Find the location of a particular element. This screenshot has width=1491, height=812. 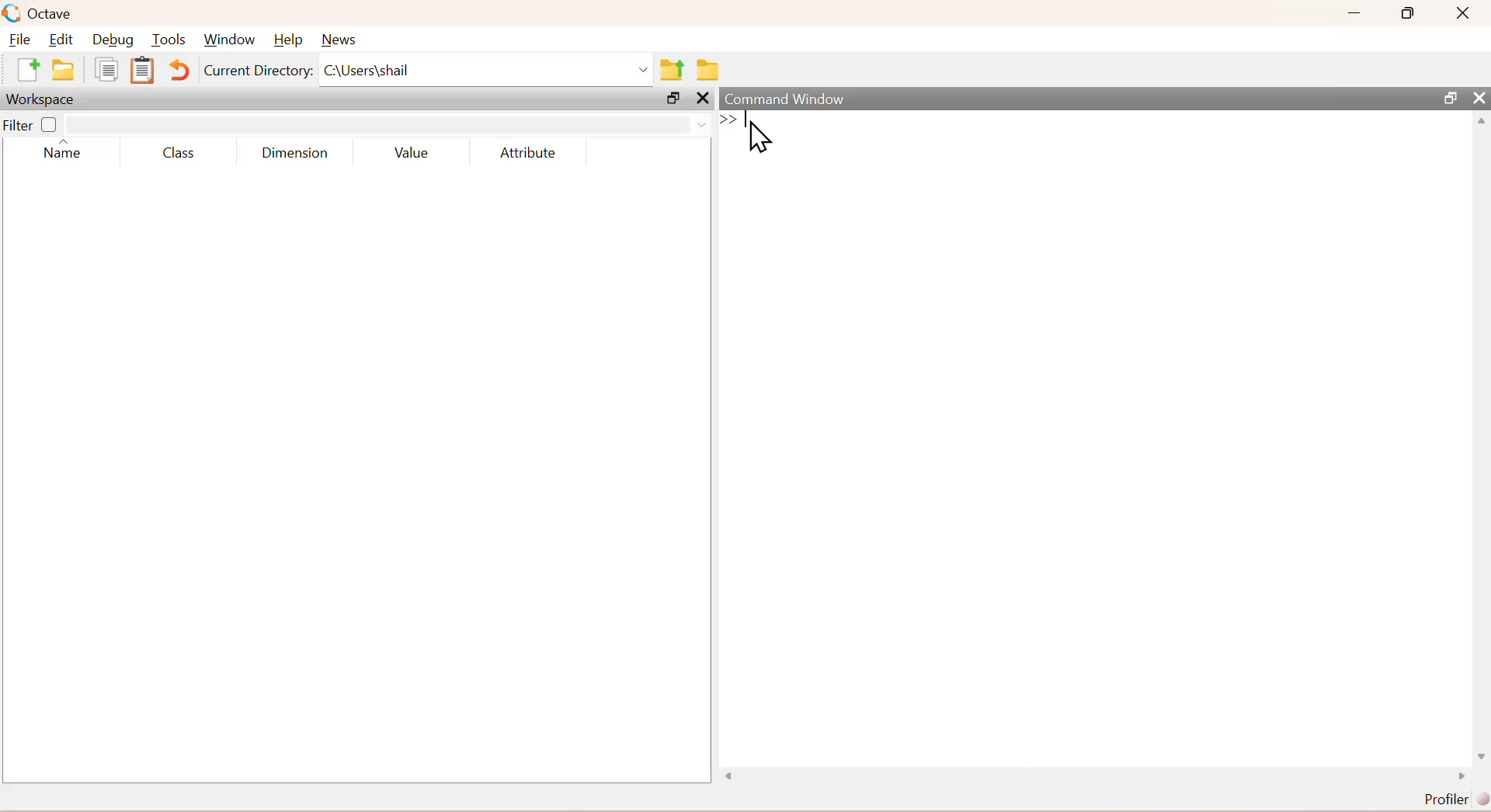

DImension is located at coordinates (295, 150).